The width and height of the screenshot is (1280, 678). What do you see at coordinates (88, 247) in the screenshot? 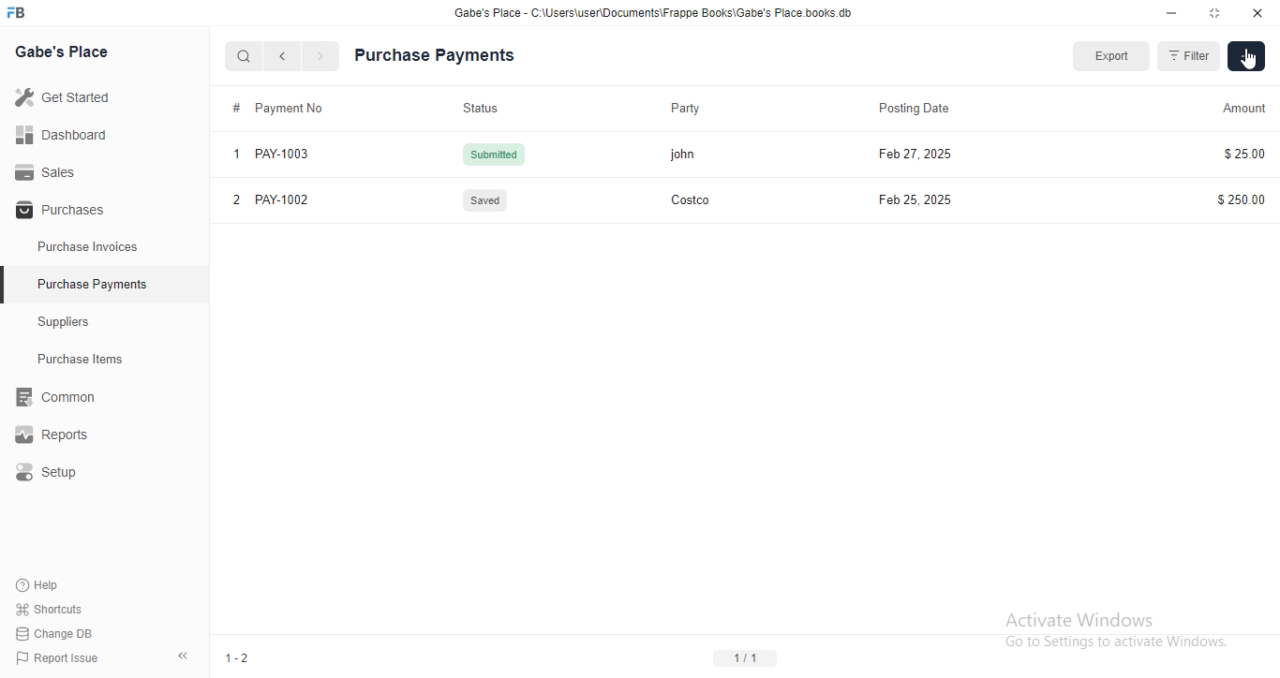
I see `Purchase Invoices` at bounding box center [88, 247].